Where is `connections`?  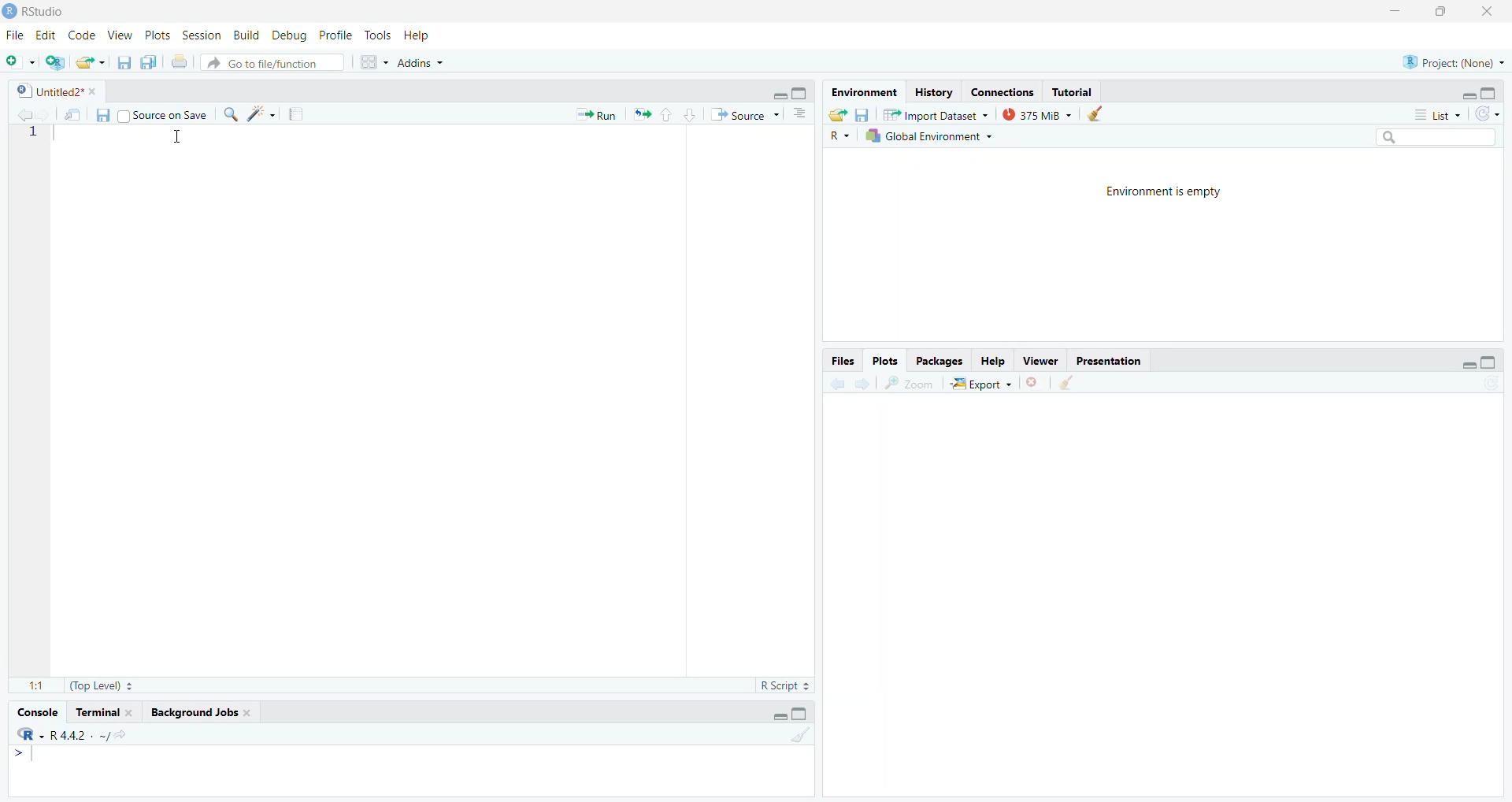 connections is located at coordinates (1000, 91).